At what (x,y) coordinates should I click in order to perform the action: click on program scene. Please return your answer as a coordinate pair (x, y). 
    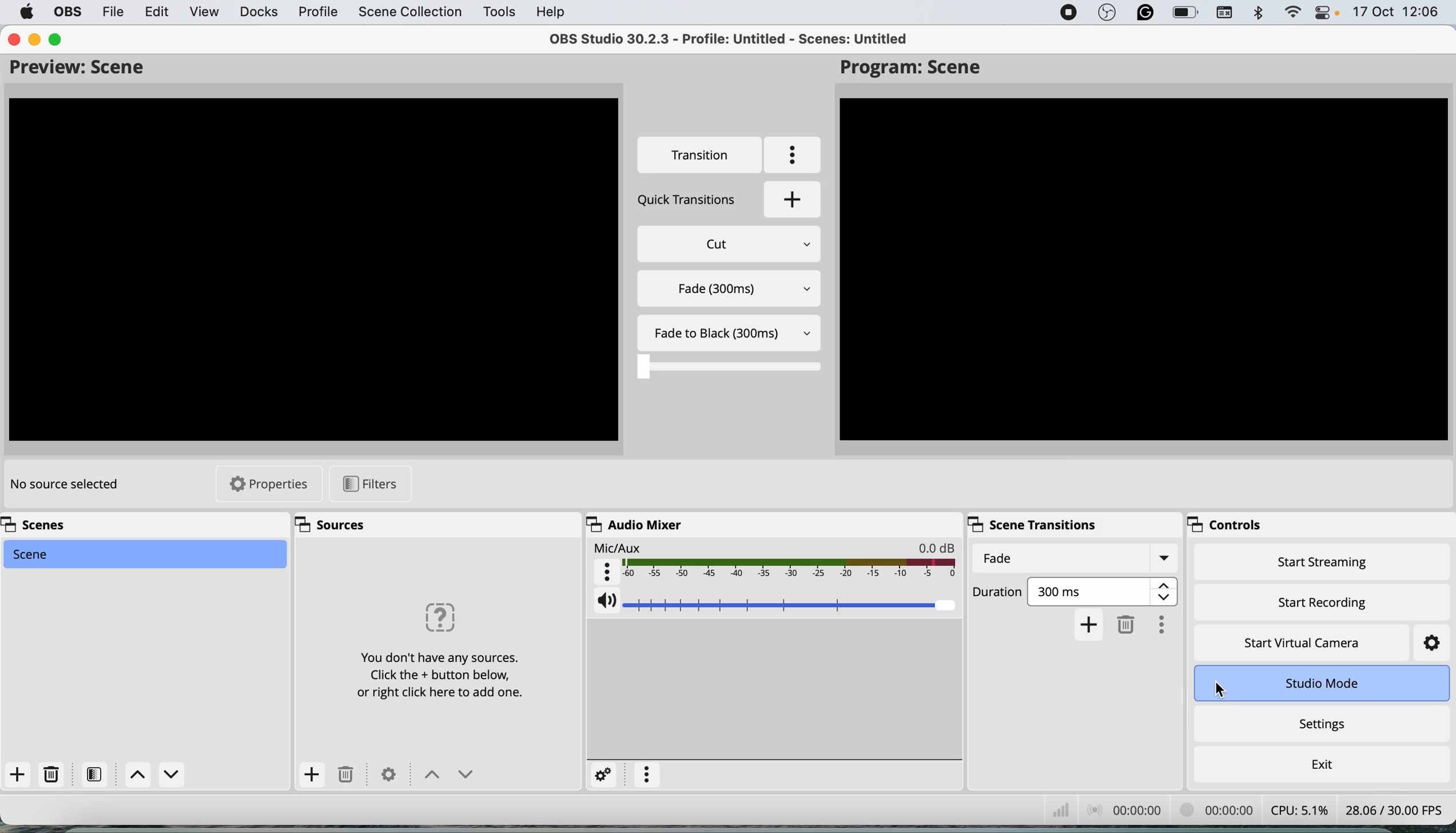
    Looking at the image, I should click on (917, 68).